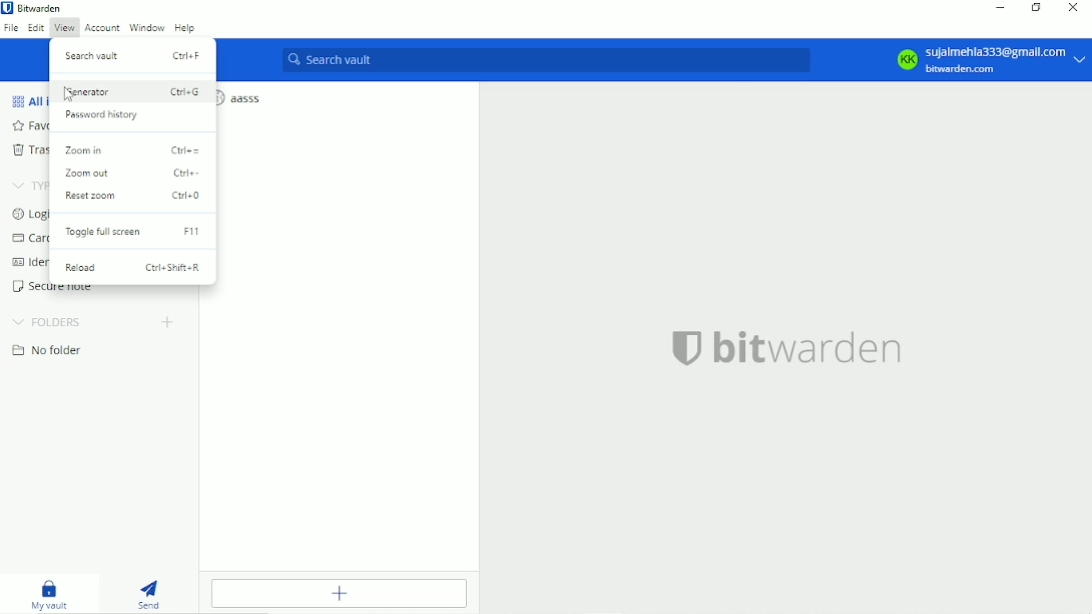 The image size is (1092, 614). Describe the element at coordinates (185, 29) in the screenshot. I see `Help` at that location.